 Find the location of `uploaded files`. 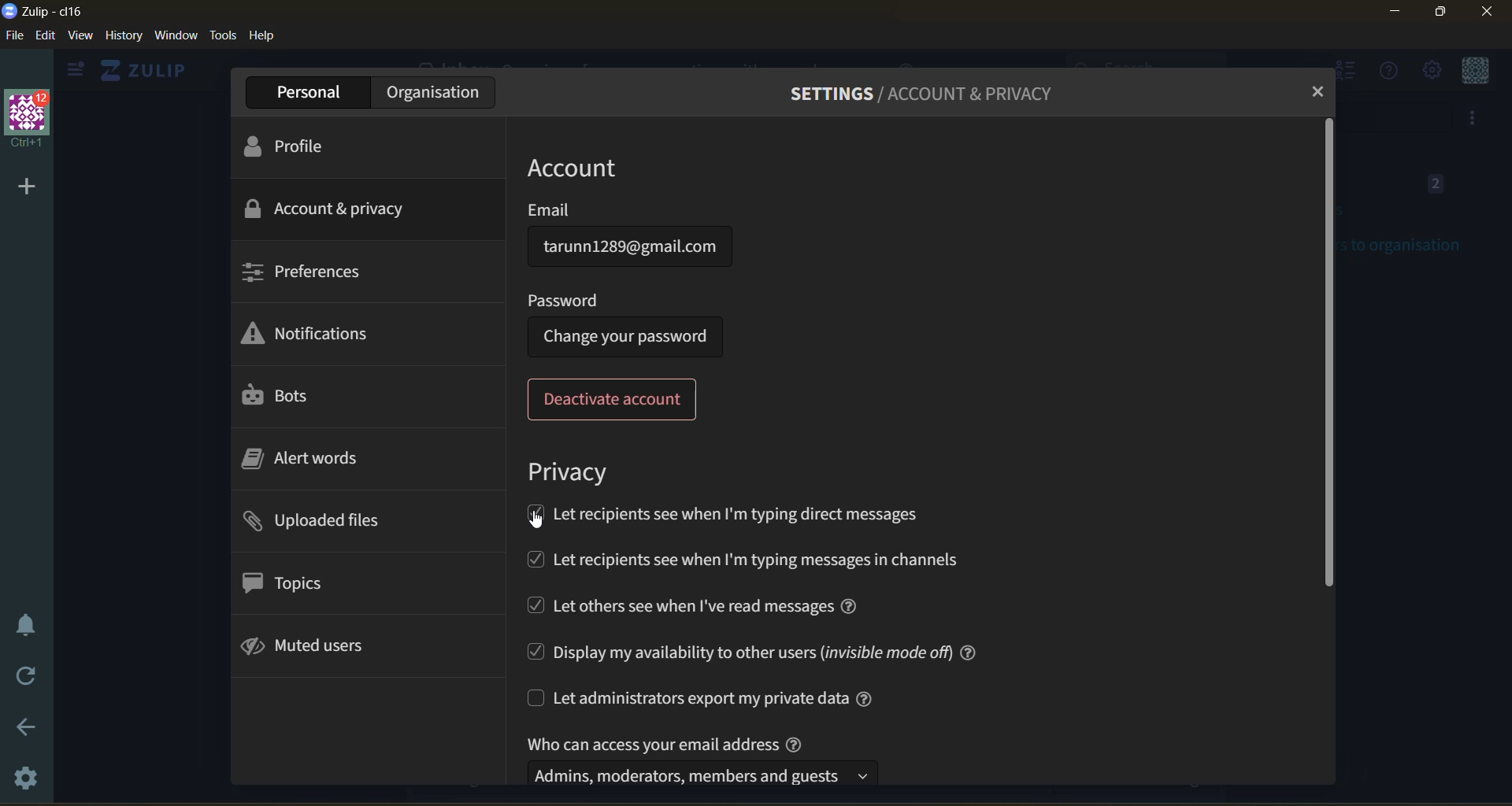

uploaded files is located at coordinates (319, 524).